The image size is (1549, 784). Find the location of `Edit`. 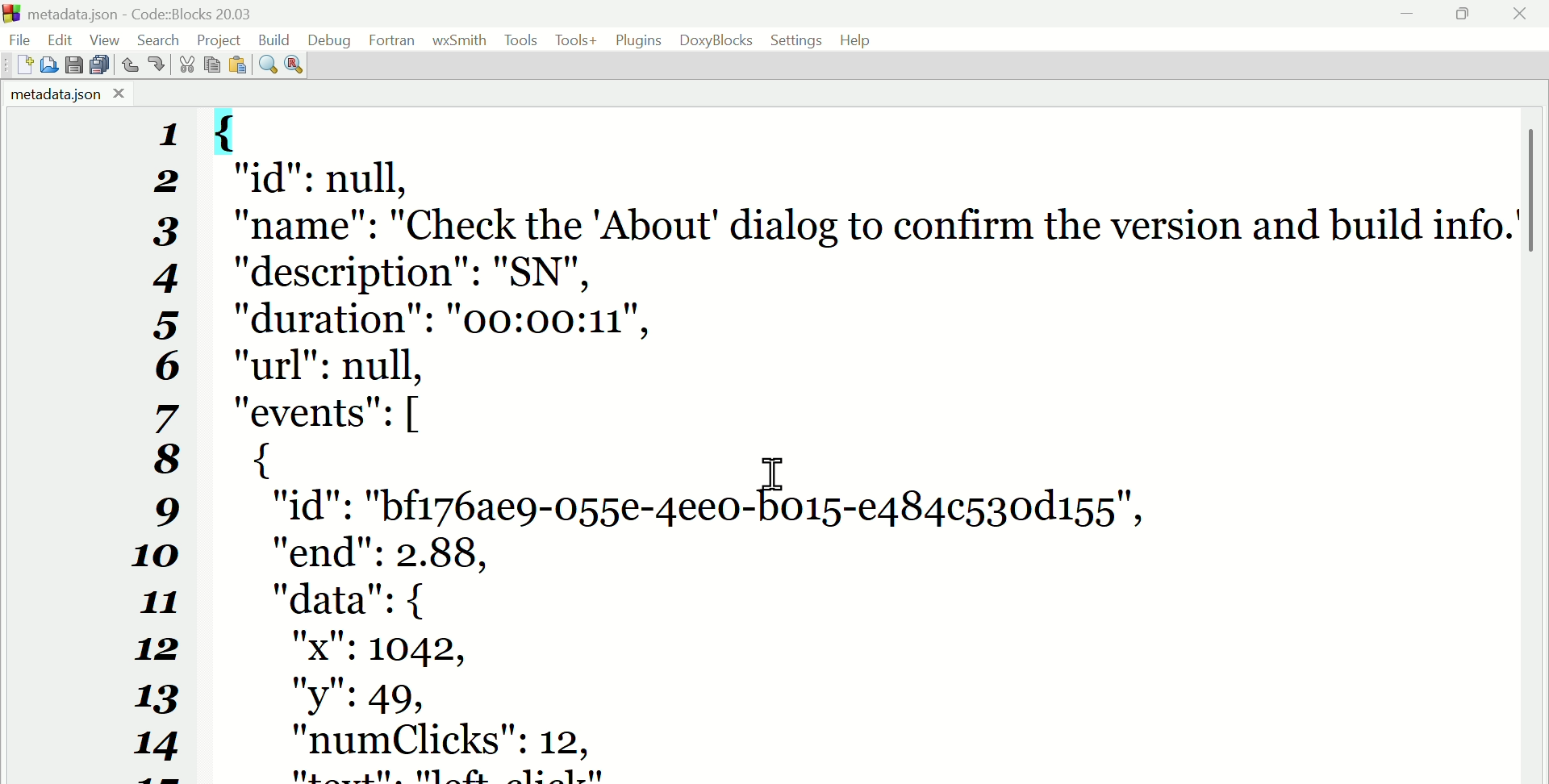

Edit is located at coordinates (61, 39).